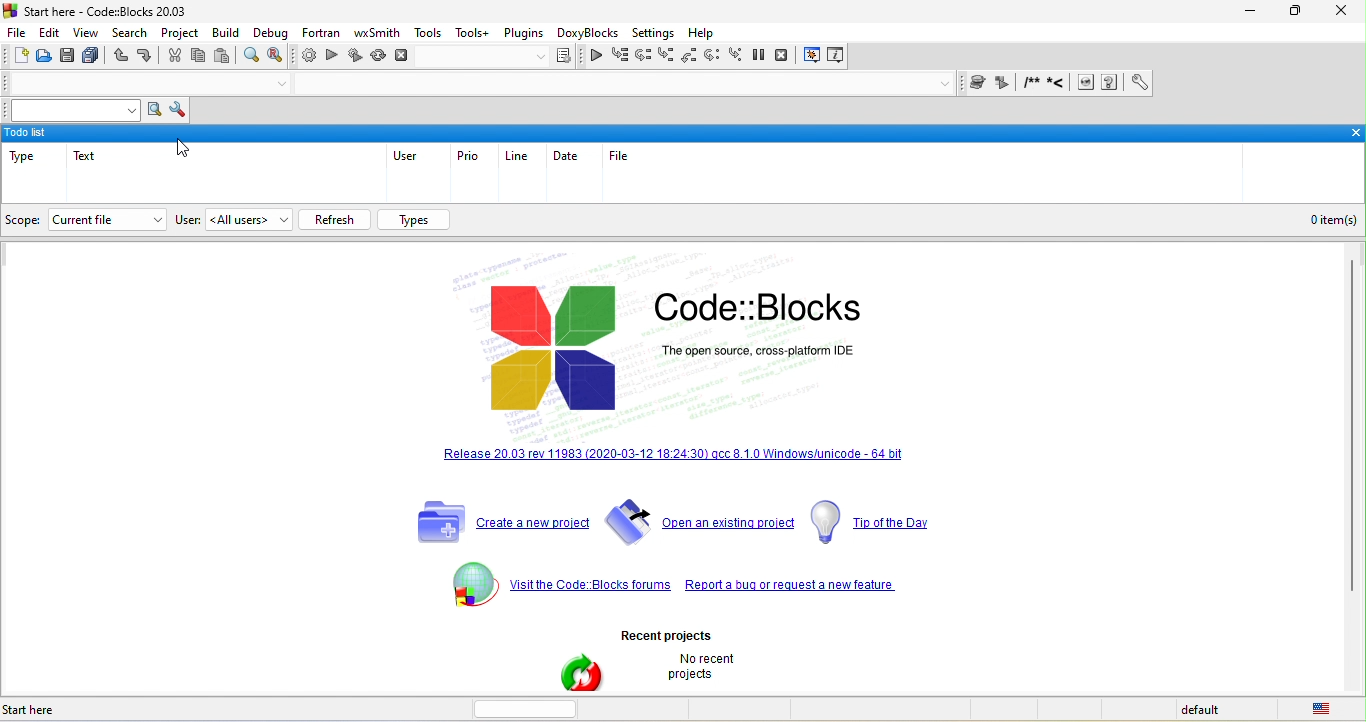 The height and width of the screenshot is (722, 1366). Describe the element at coordinates (824, 359) in the screenshot. I see `the open source, cross-platform IDe ` at that location.